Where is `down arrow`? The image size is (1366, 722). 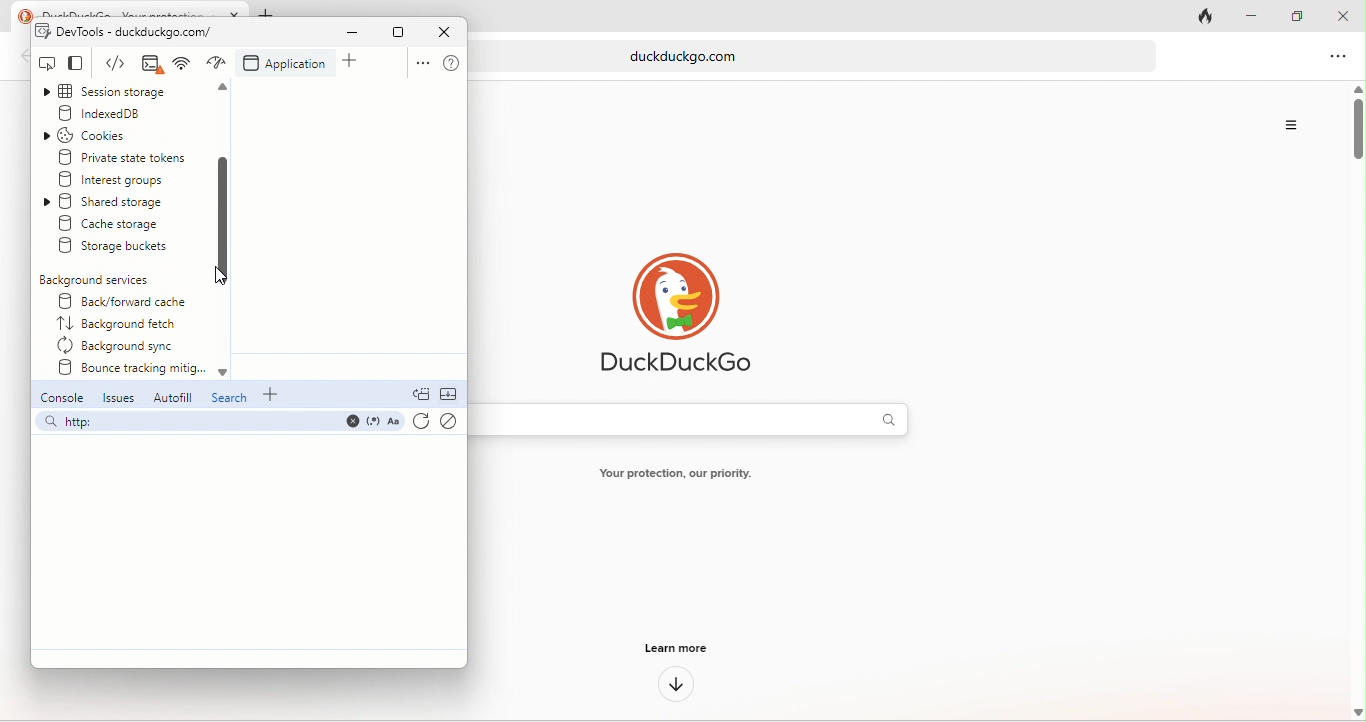 down arrow is located at coordinates (671, 687).